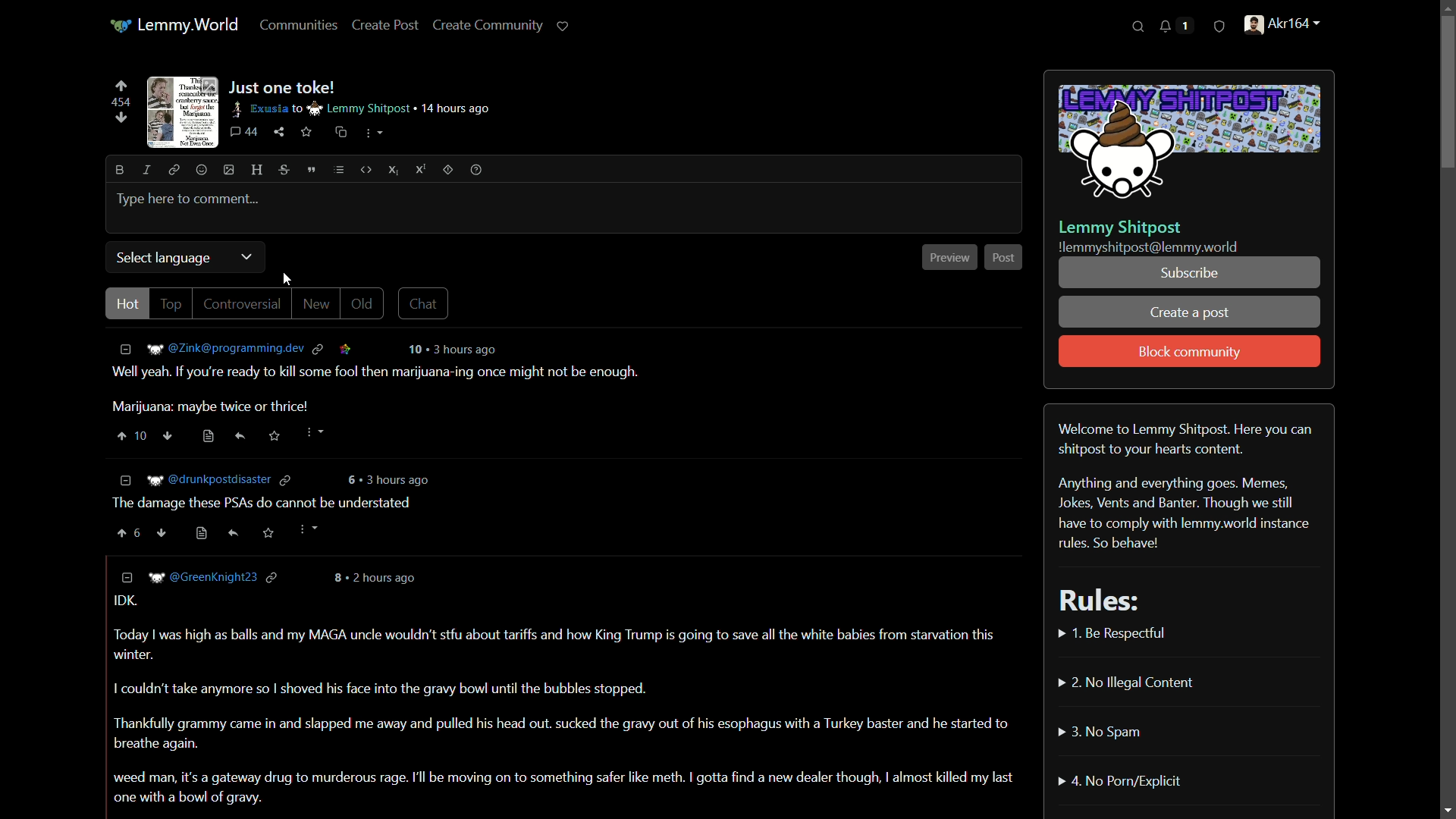 The image size is (1456, 819). Describe the element at coordinates (1200, 608) in the screenshot. I see `Welcome to Lemmy Shitpost. Here you can shitpost to your hearts content. Anything and everything goes. Memes, Jokes, Vents and Banter. Though we still have to comply with lemmy.world instance rules. So behave! Rules:» 1. Be Respectful» 2. No Illegal Content» 3. No Spam» 4. No Porn/Explicit` at that location.